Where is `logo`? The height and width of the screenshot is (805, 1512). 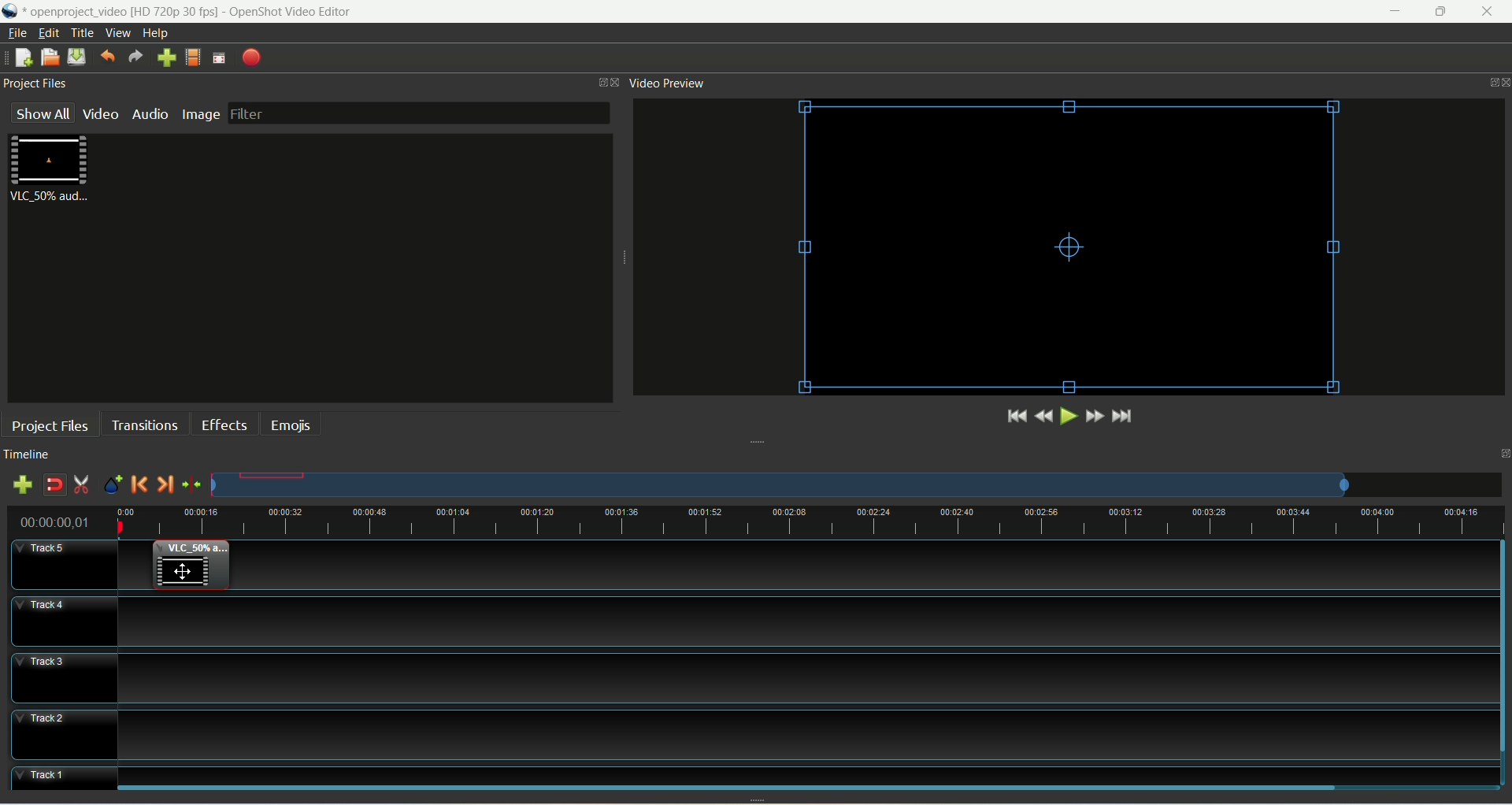
logo is located at coordinates (12, 11).